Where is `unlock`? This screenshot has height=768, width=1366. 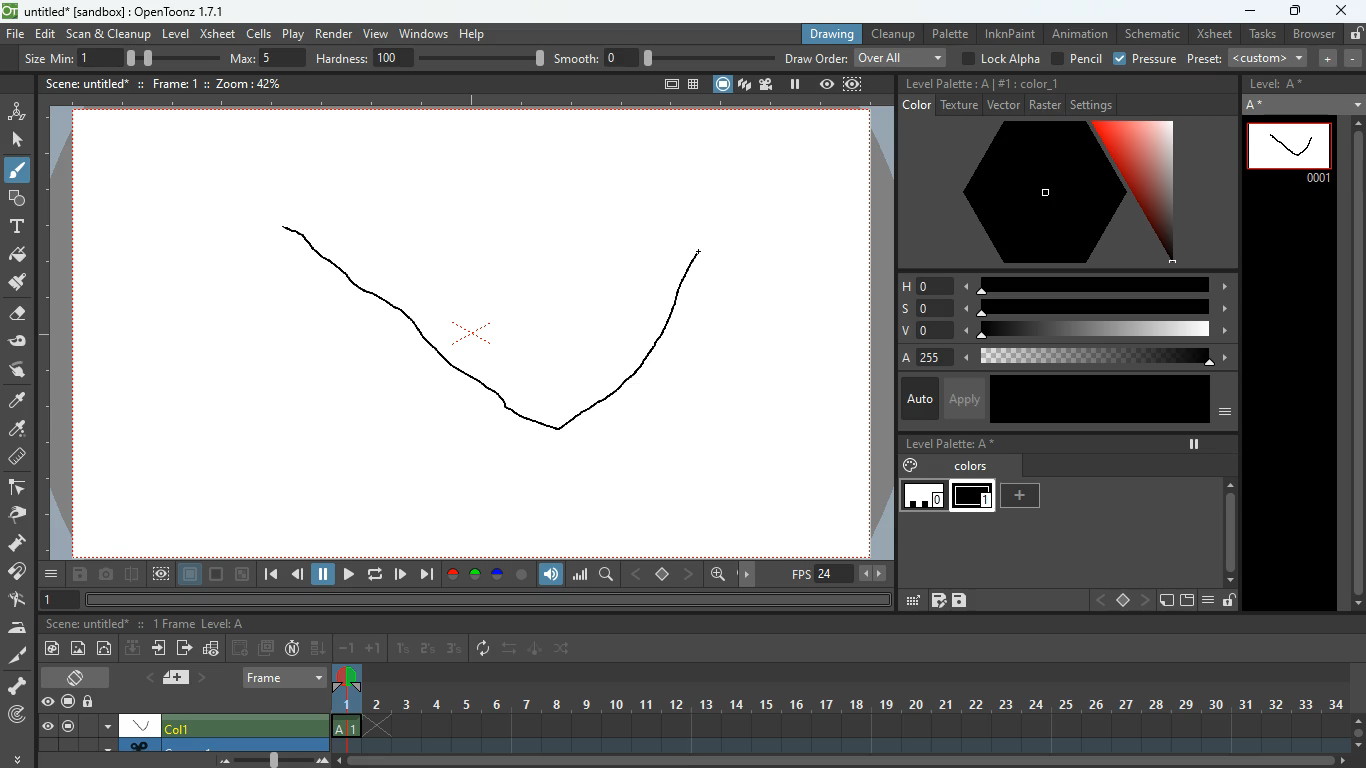
unlock is located at coordinates (90, 703).